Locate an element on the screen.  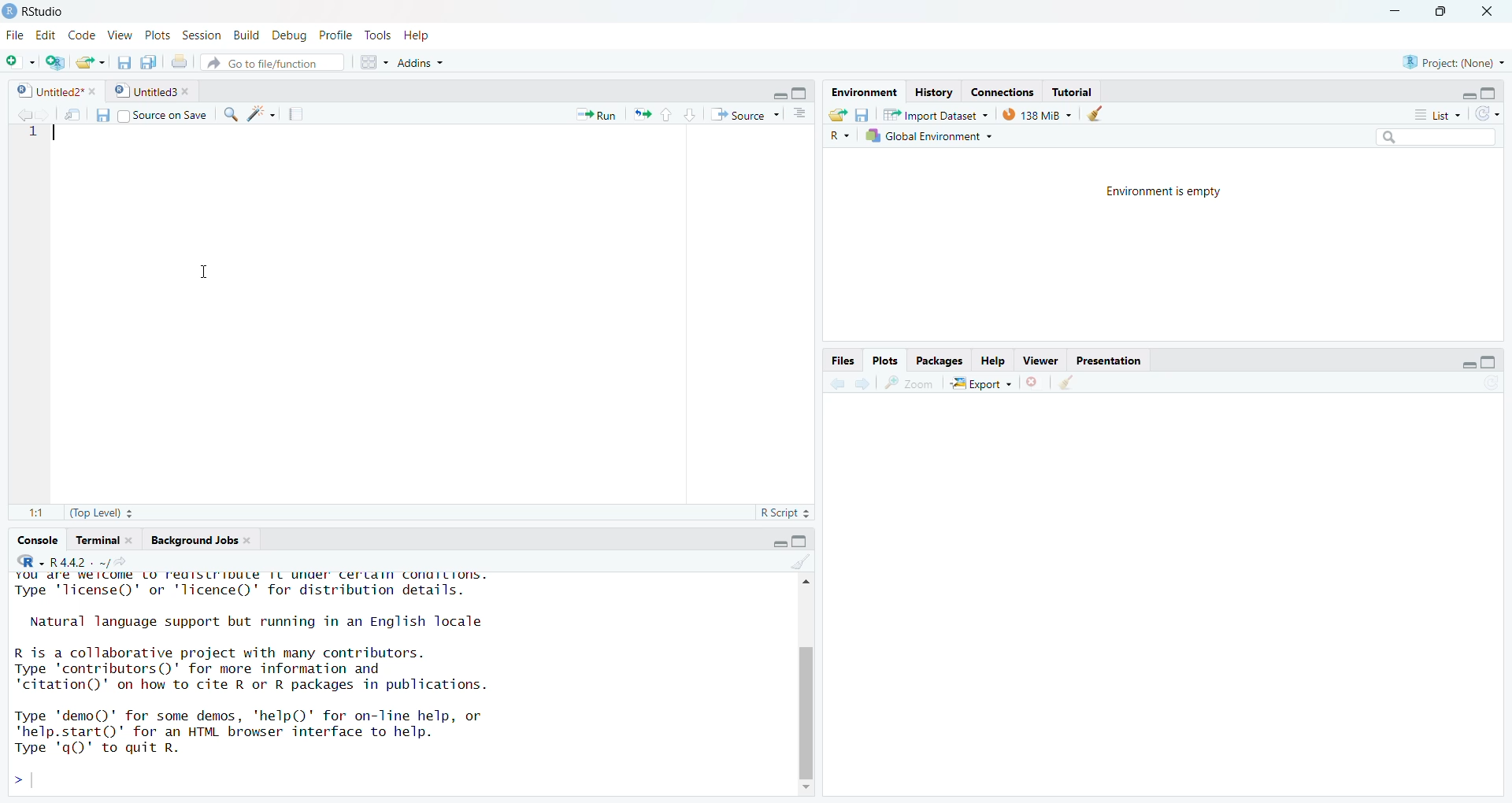
remove all viewers is located at coordinates (1034, 383).